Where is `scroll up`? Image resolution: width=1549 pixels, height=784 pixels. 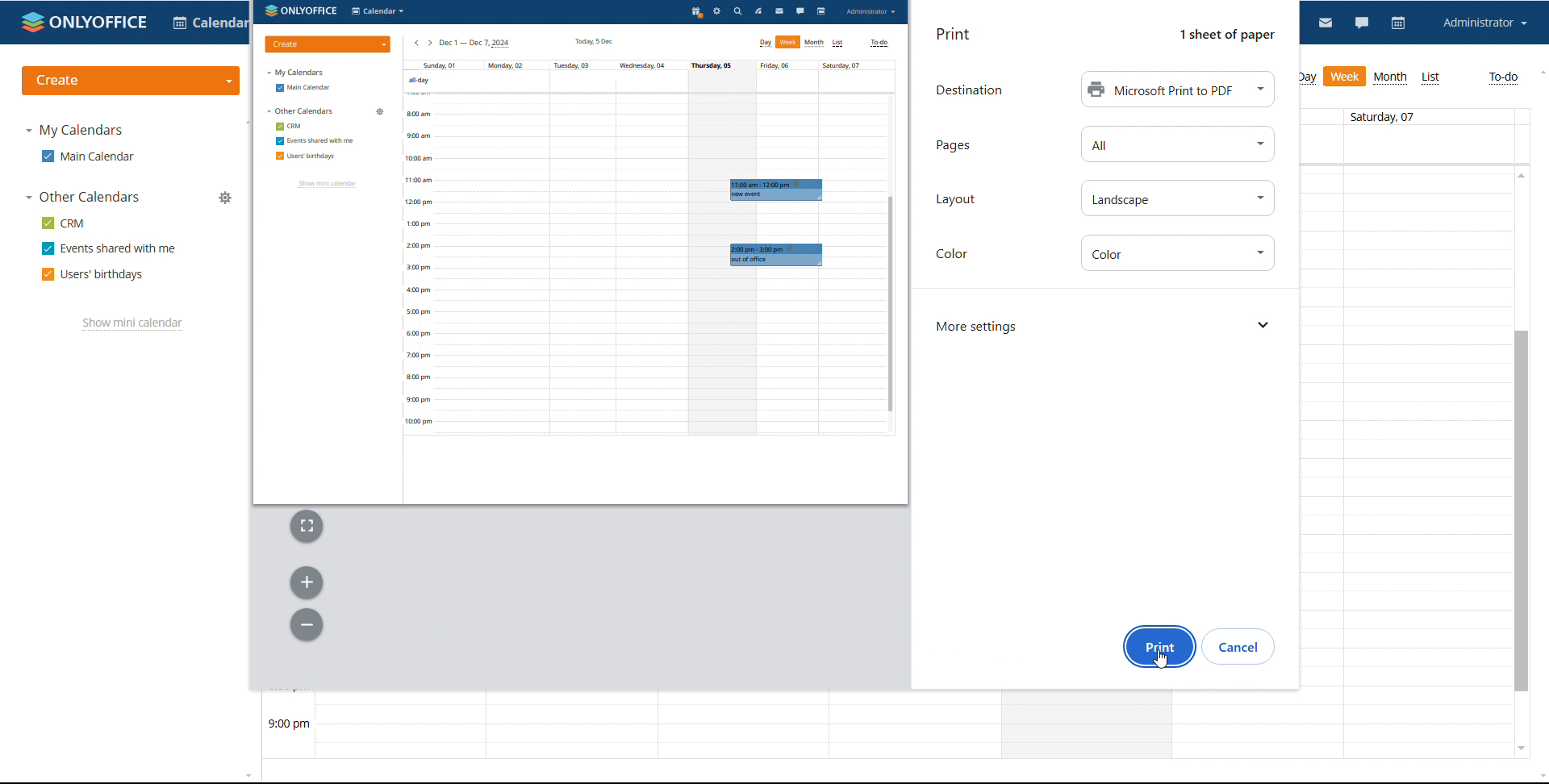
scroll up is located at coordinates (1519, 177).